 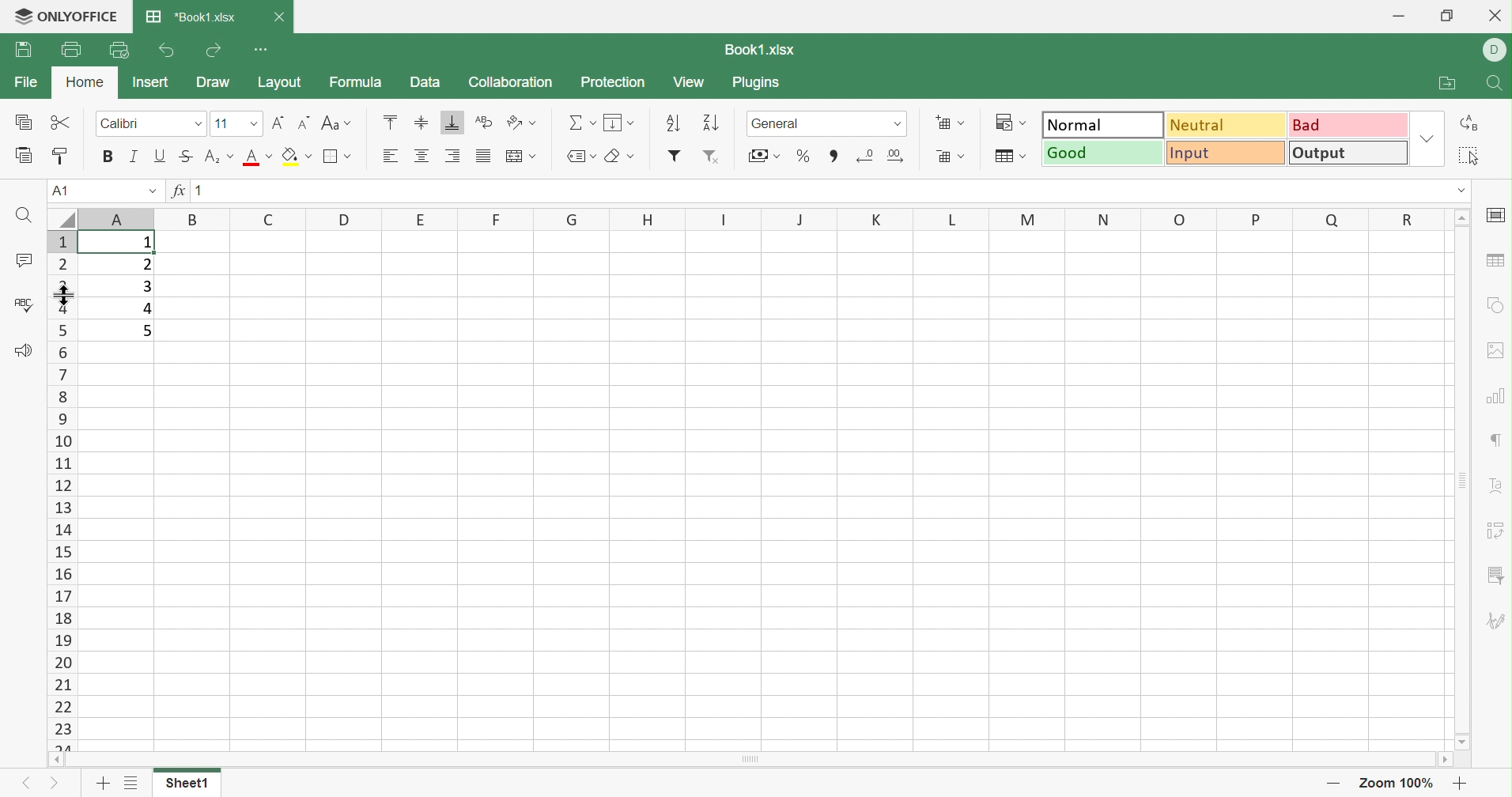 I want to click on Drop Down, so click(x=350, y=123).